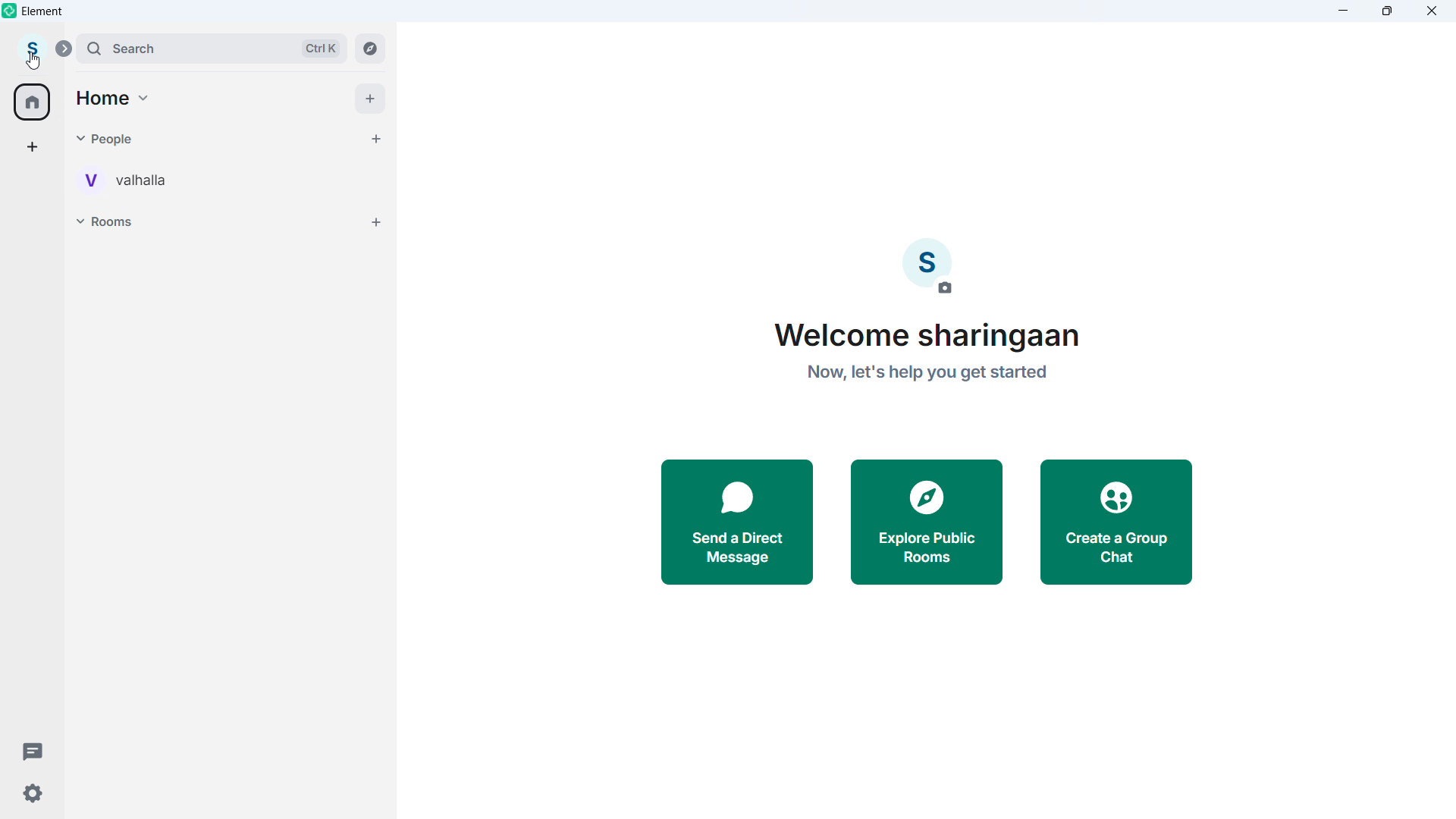 This screenshot has width=1456, height=819. What do you see at coordinates (214, 221) in the screenshot?
I see `Rooms ` at bounding box center [214, 221].